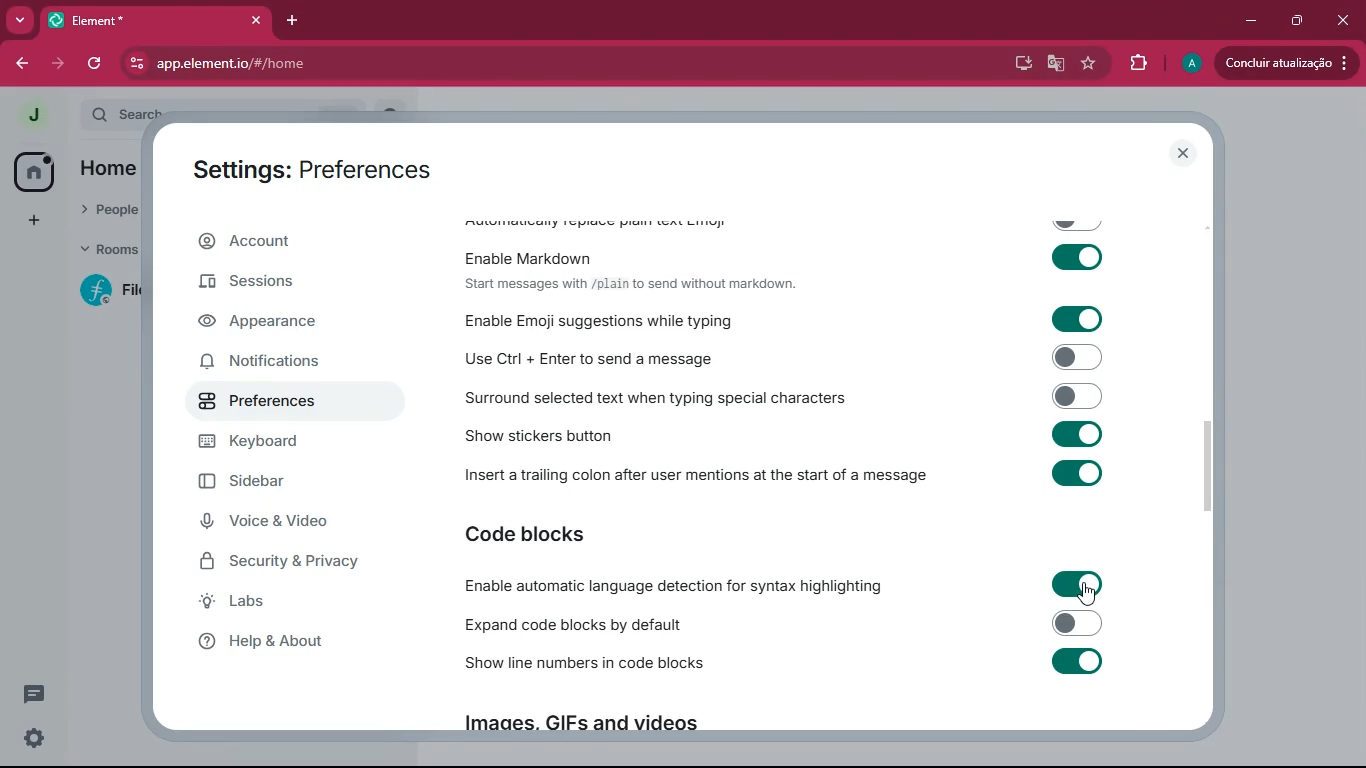 The image size is (1366, 768). I want to click on add, so click(34, 221).